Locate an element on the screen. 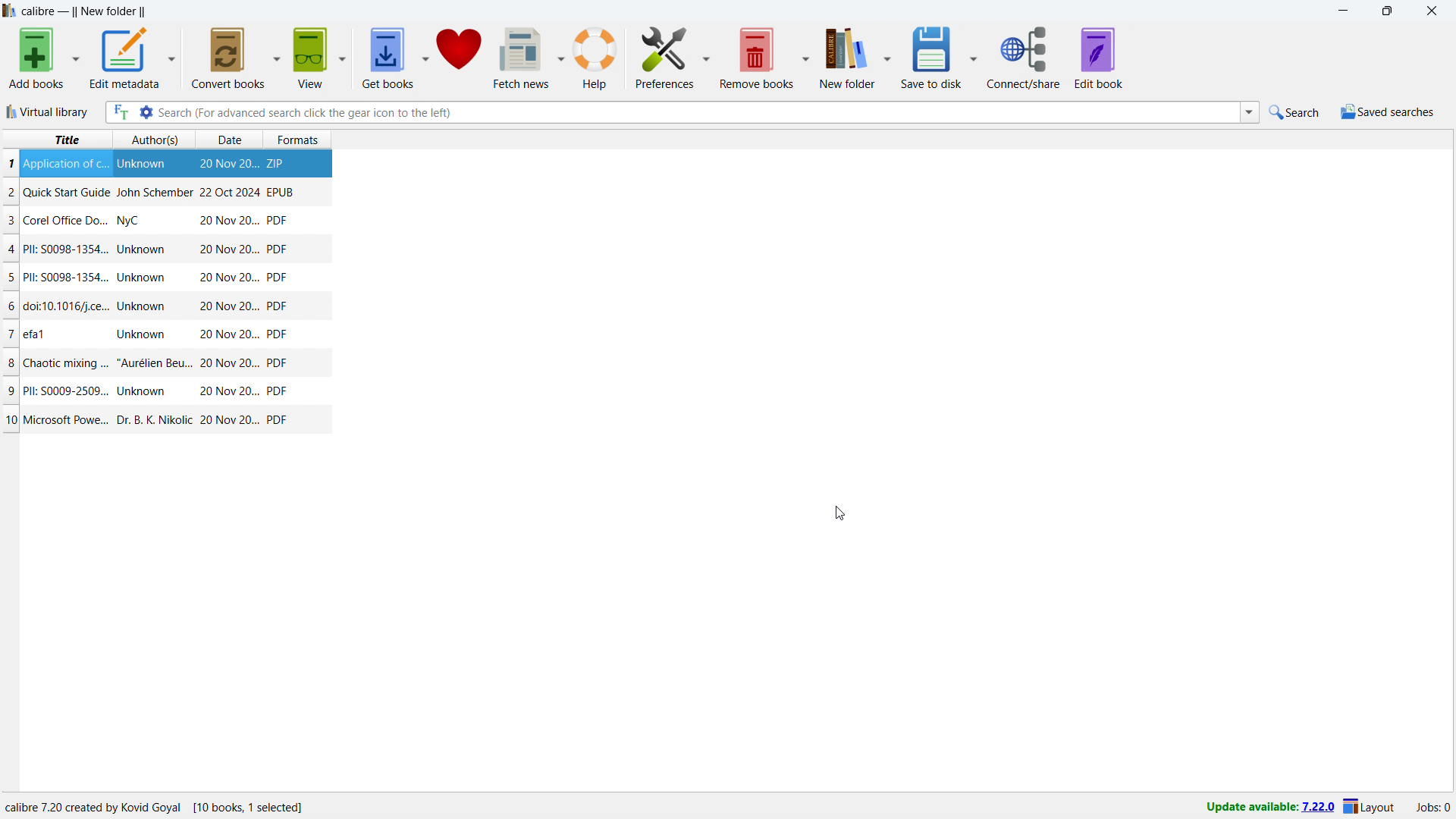 The height and width of the screenshot is (819, 1456). view options is located at coordinates (344, 58).